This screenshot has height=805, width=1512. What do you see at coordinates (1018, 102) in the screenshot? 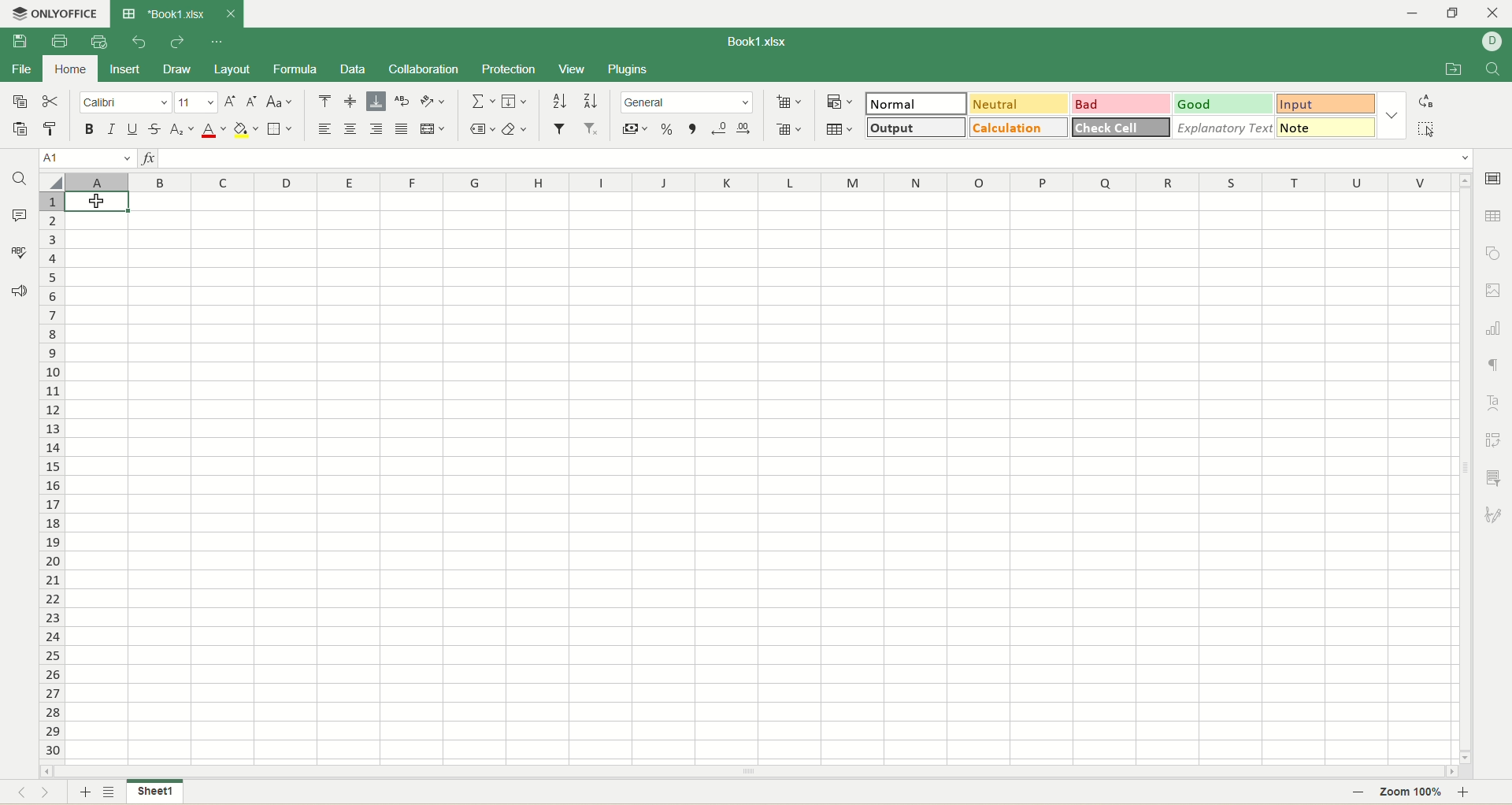
I see `neutral` at bounding box center [1018, 102].